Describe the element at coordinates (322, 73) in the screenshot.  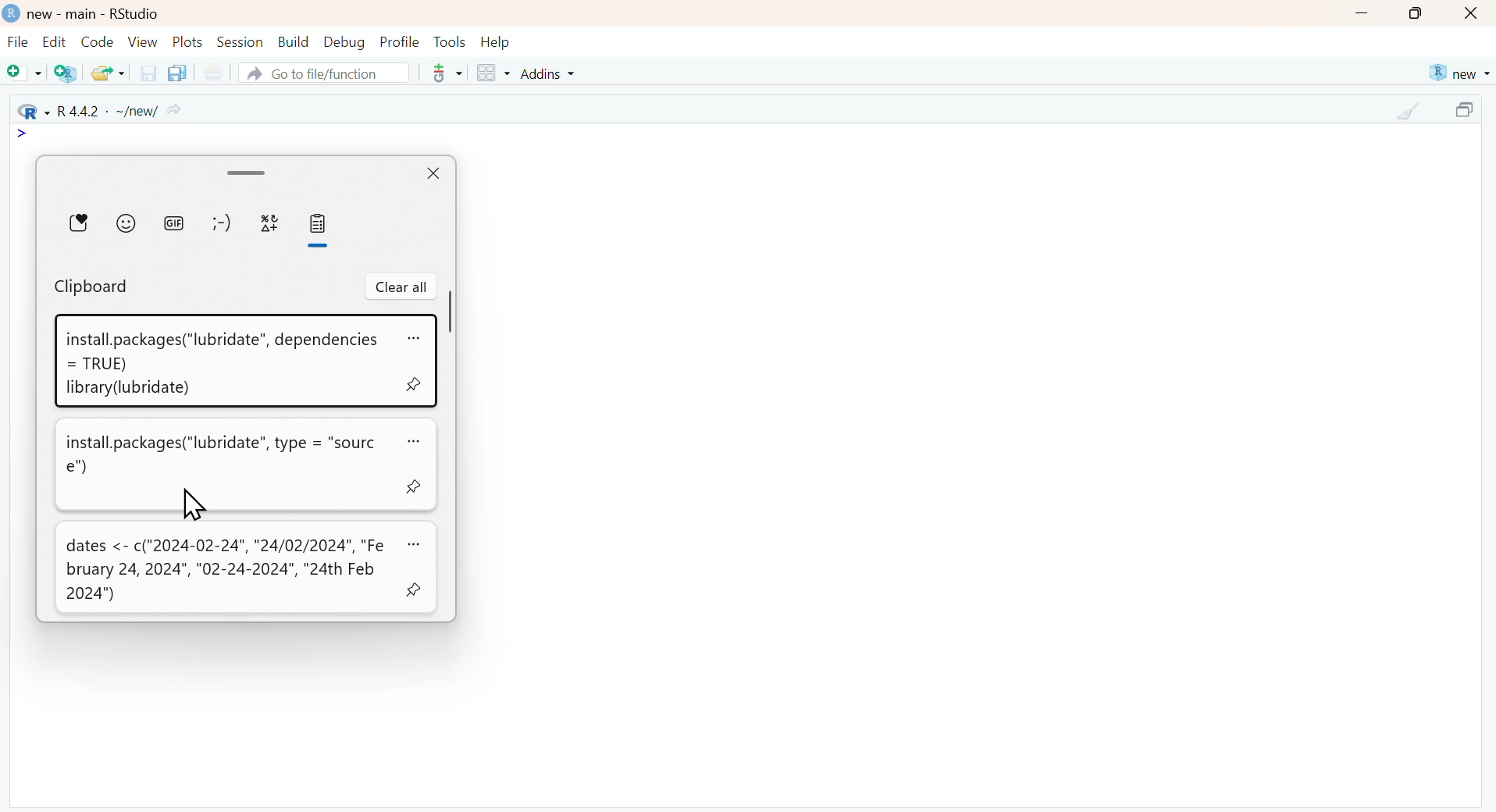
I see `Go to file/function` at that location.